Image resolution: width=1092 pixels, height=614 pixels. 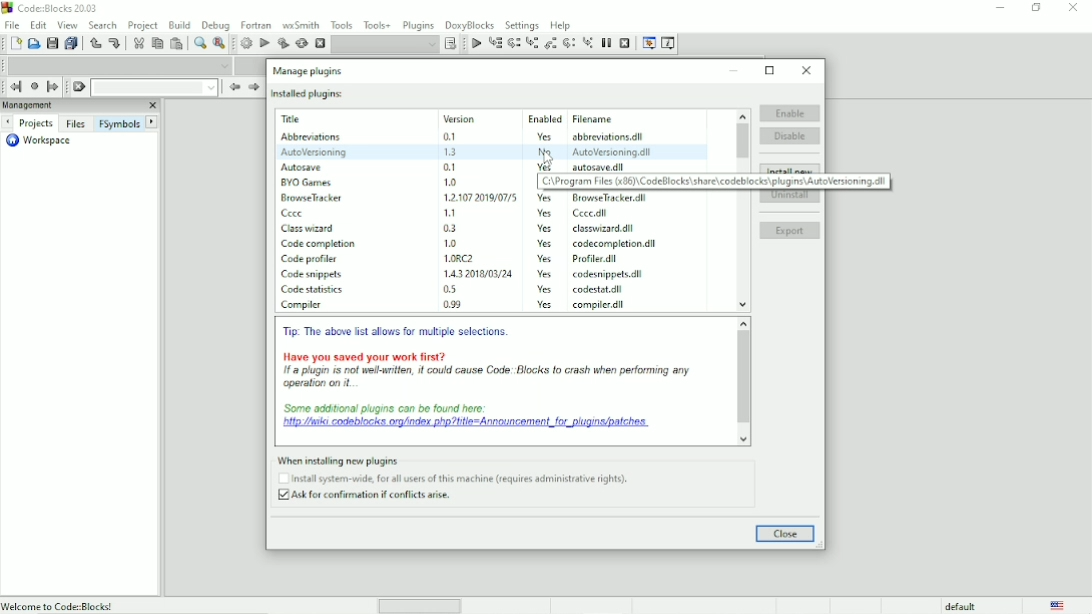 What do you see at coordinates (547, 243) in the screenshot?
I see `Yes` at bounding box center [547, 243].